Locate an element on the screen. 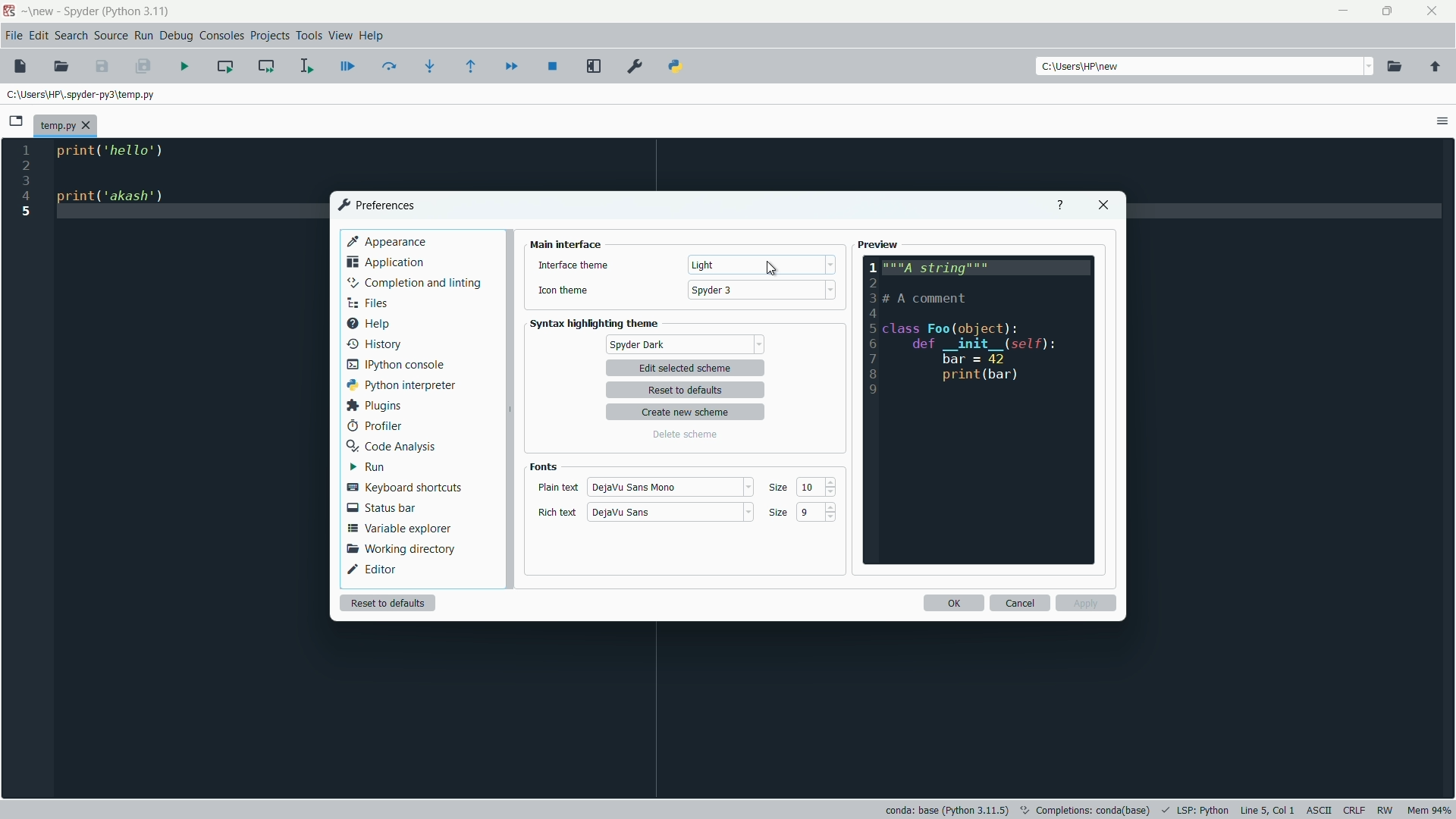 This screenshot has width=1456, height=819. completion and linting is located at coordinates (414, 283).